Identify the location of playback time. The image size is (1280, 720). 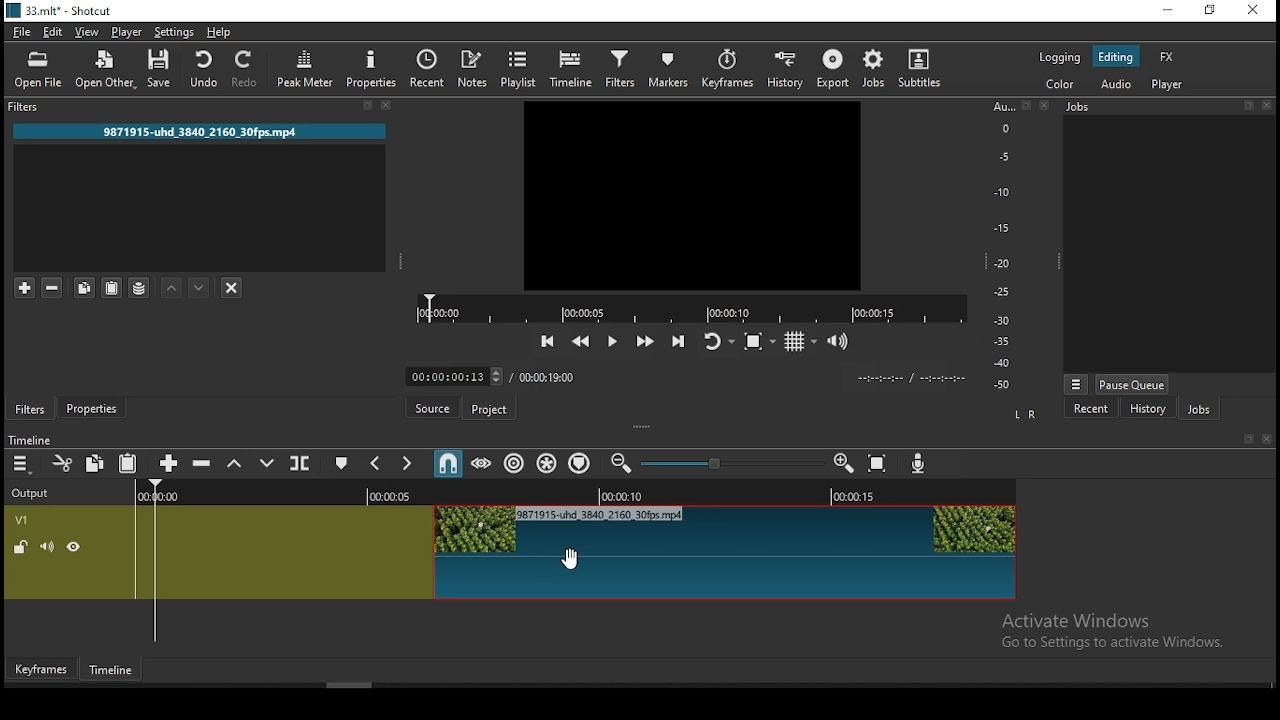
(686, 307).